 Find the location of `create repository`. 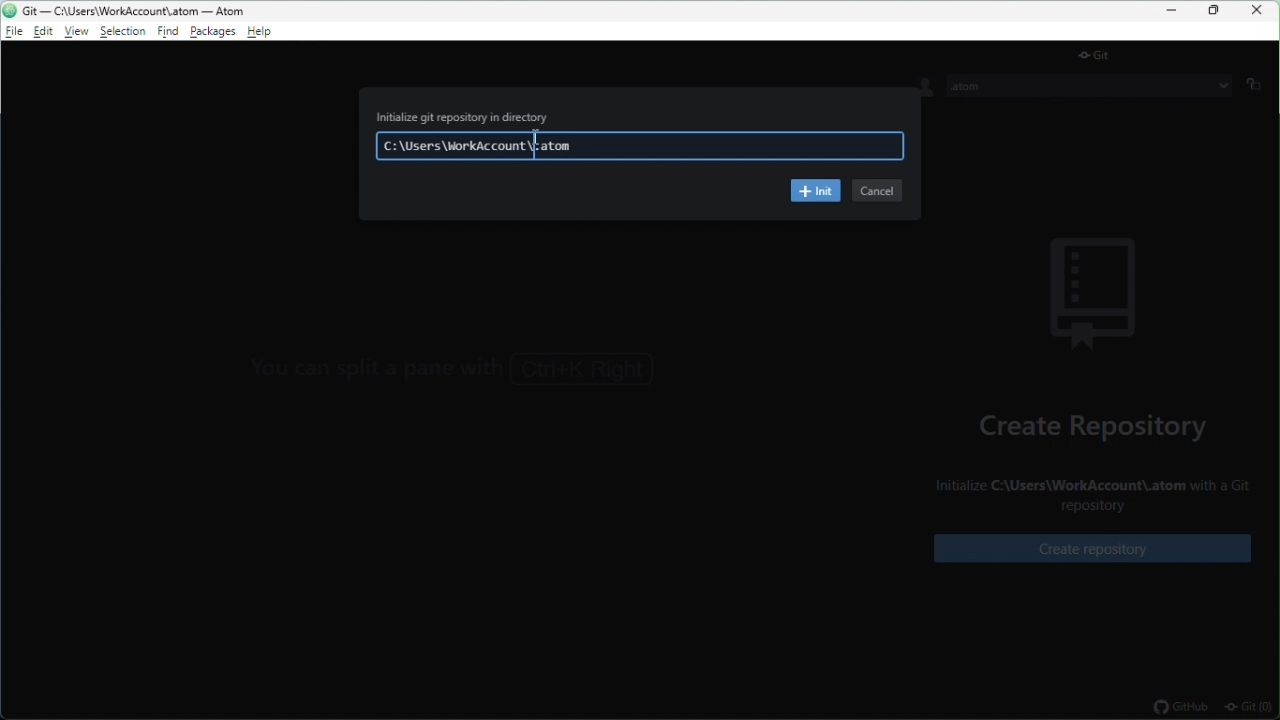

create repository is located at coordinates (1092, 548).